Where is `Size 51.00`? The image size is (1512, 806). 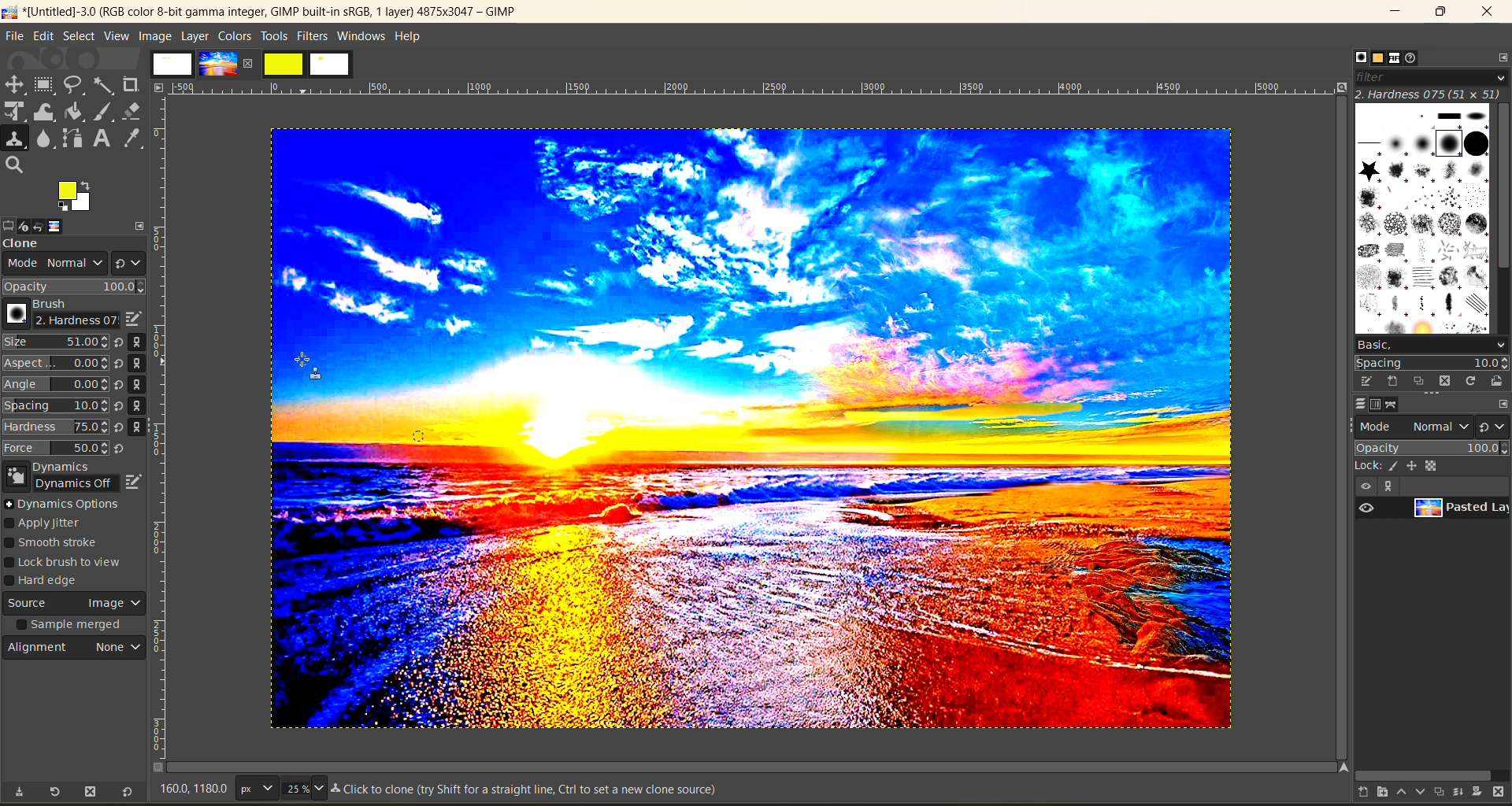 Size 51.00 is located at coordinates (54, 343).